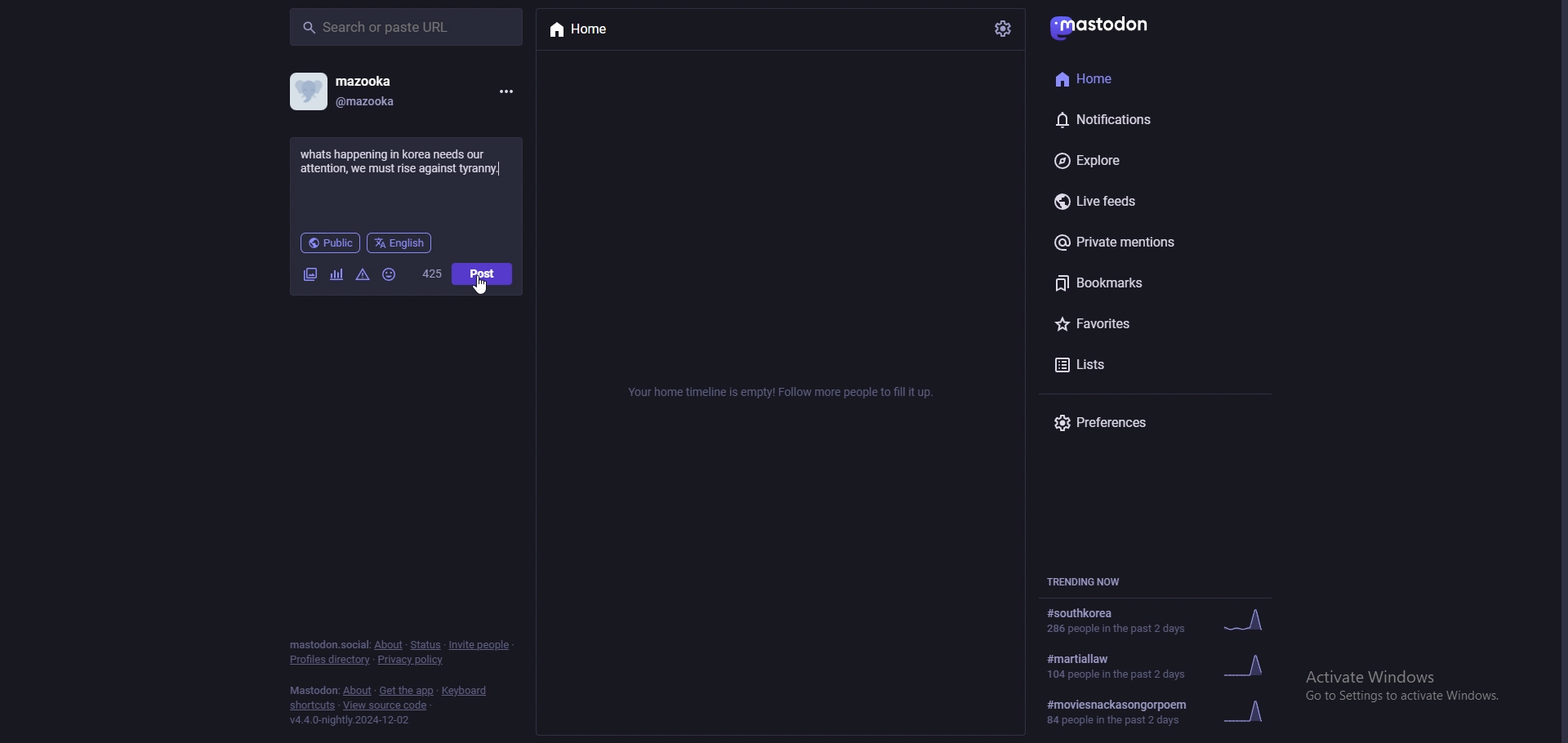 Image resolution: width=1568 pixels, height=743 pixels. What do you see at coordinates (1132, 117) in the screenshot?
I see `notifications` at bounding box center [1132, 117].